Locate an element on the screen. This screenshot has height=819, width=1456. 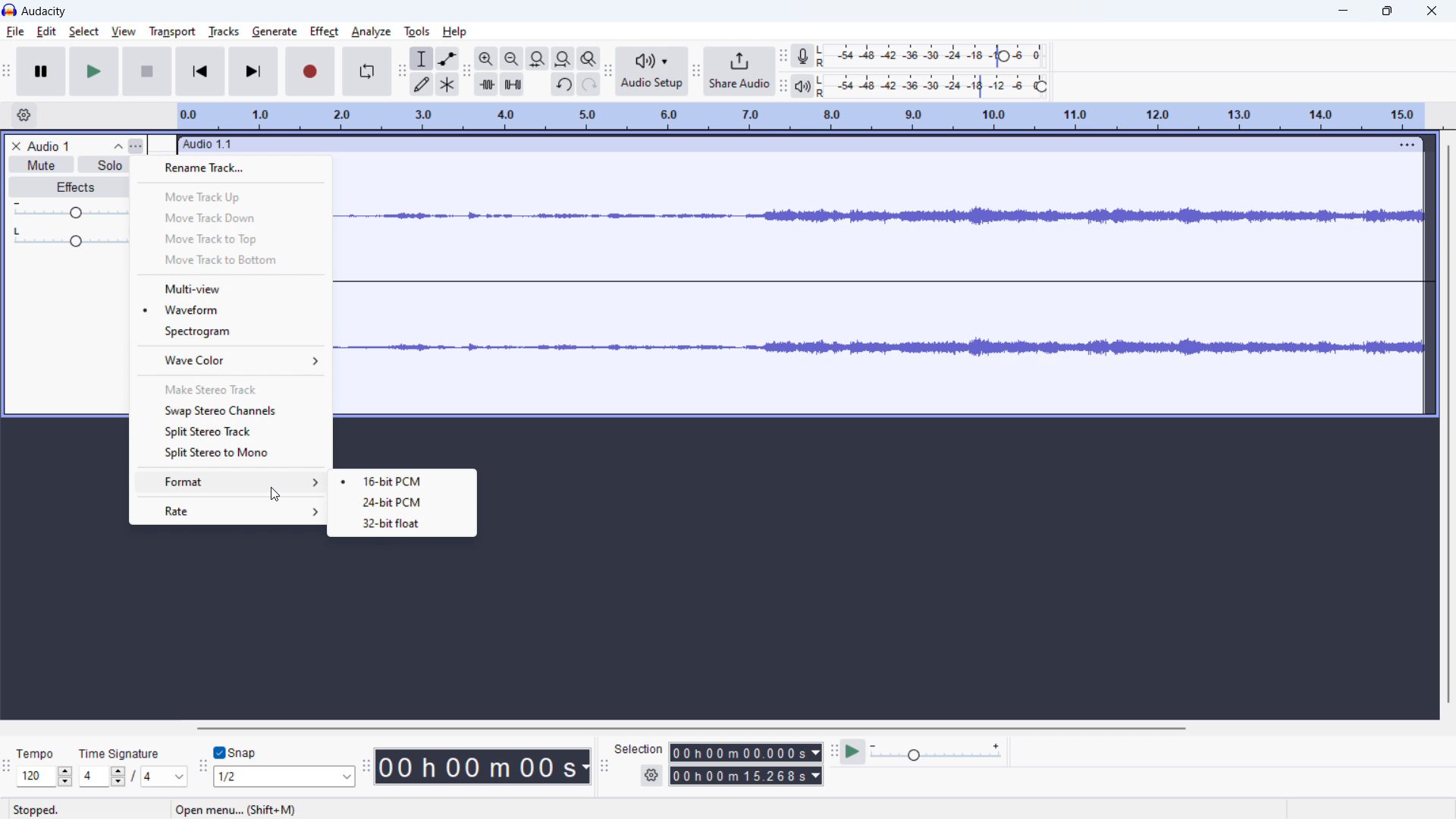
undo is located at coordinates (563, 84).